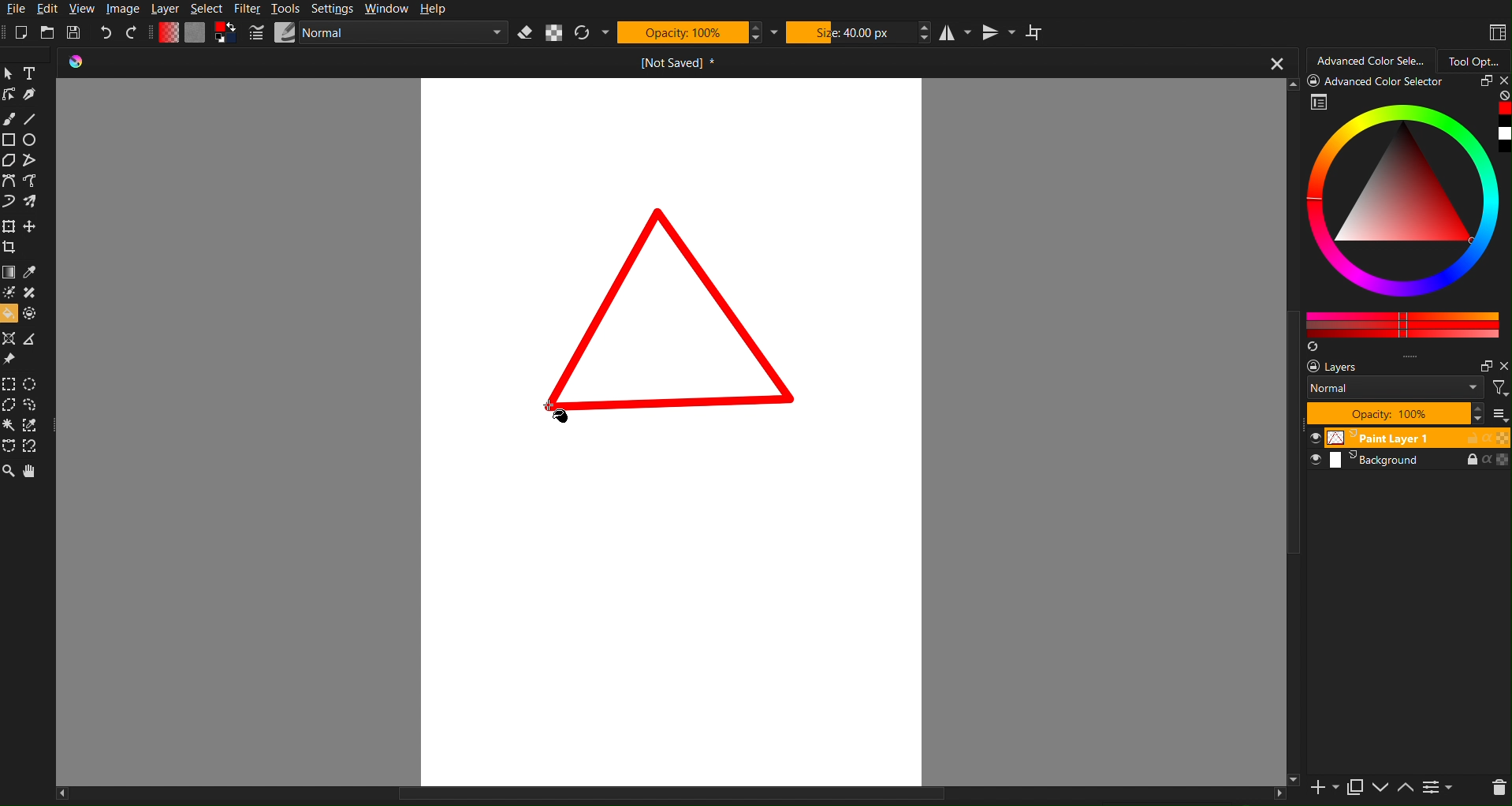  Describe the element at coordinates (31, 272) in the screenshot. I see `sample a color from the image or current layer` at that location.